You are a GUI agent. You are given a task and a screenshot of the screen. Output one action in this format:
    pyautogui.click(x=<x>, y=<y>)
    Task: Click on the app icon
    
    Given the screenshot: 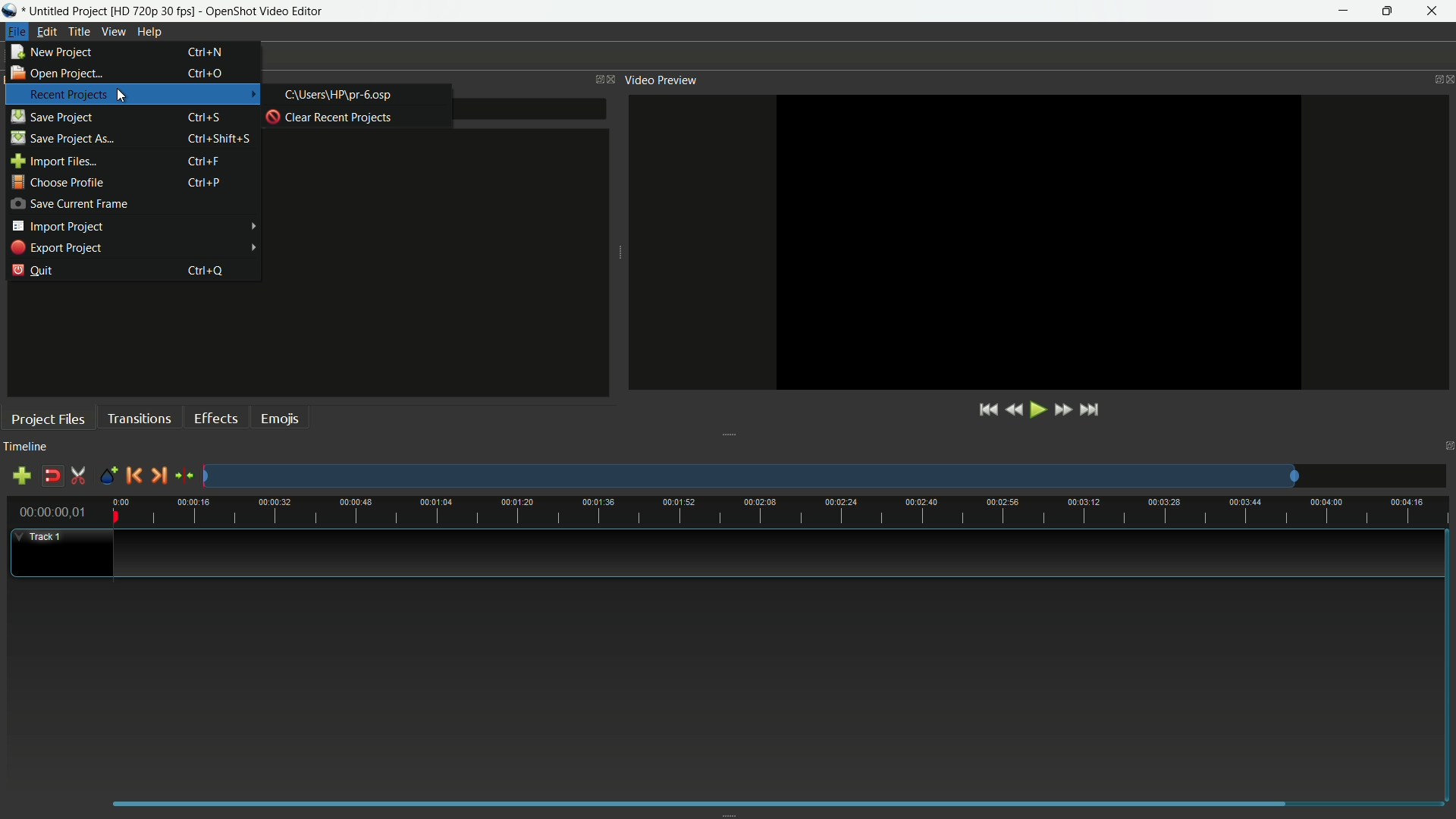 What is the action you would take?
    pyautogui.click(x=11, y=11)
    